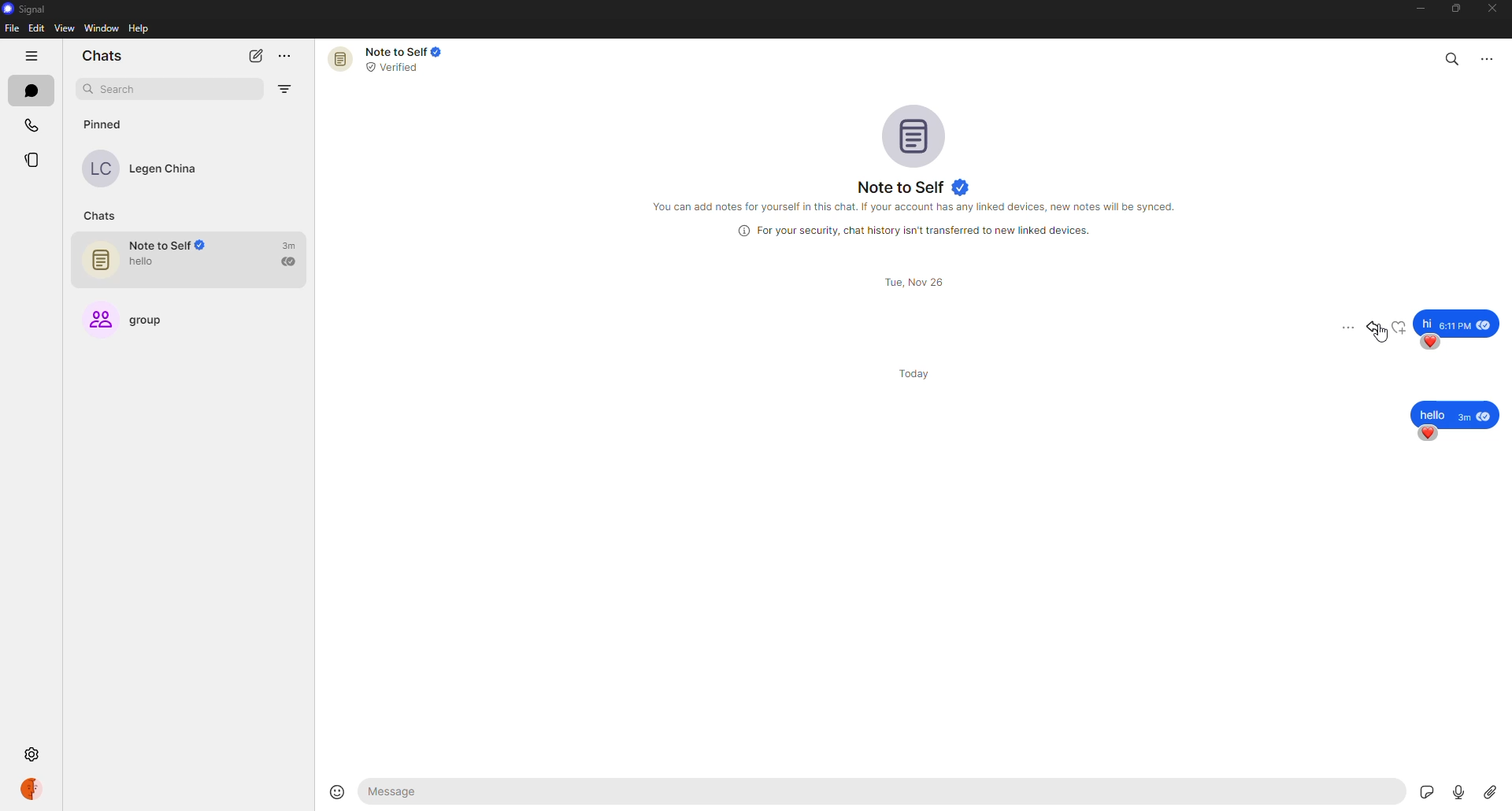 The image size is (1512, 811). What do you see at coordinates (147, 87) in the screenshot?
I see `search` at bounding box center [147, 87].